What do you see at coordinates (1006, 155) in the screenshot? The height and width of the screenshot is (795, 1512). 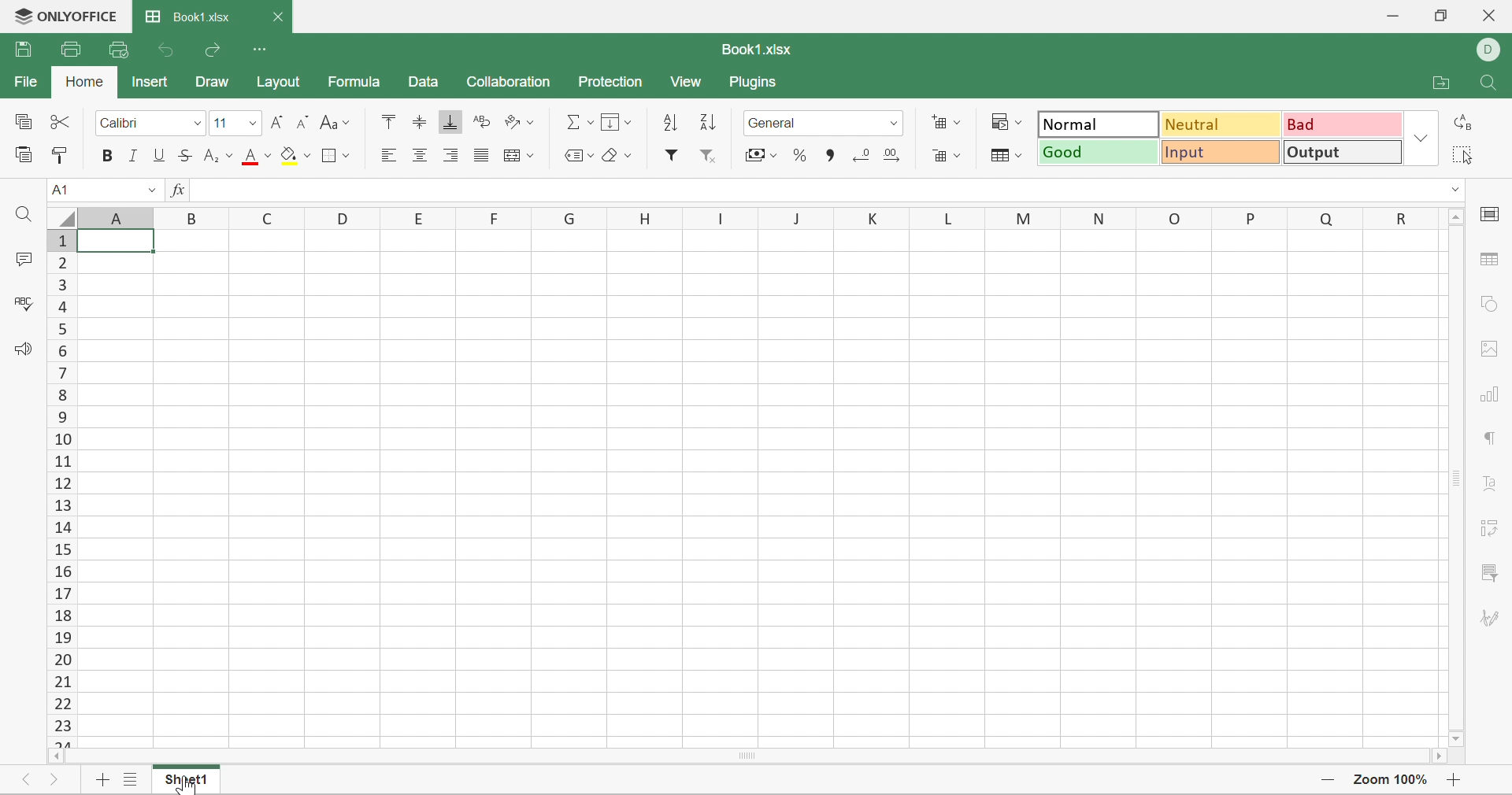 I see `Format as table template` at bounding box center [1006, 155].